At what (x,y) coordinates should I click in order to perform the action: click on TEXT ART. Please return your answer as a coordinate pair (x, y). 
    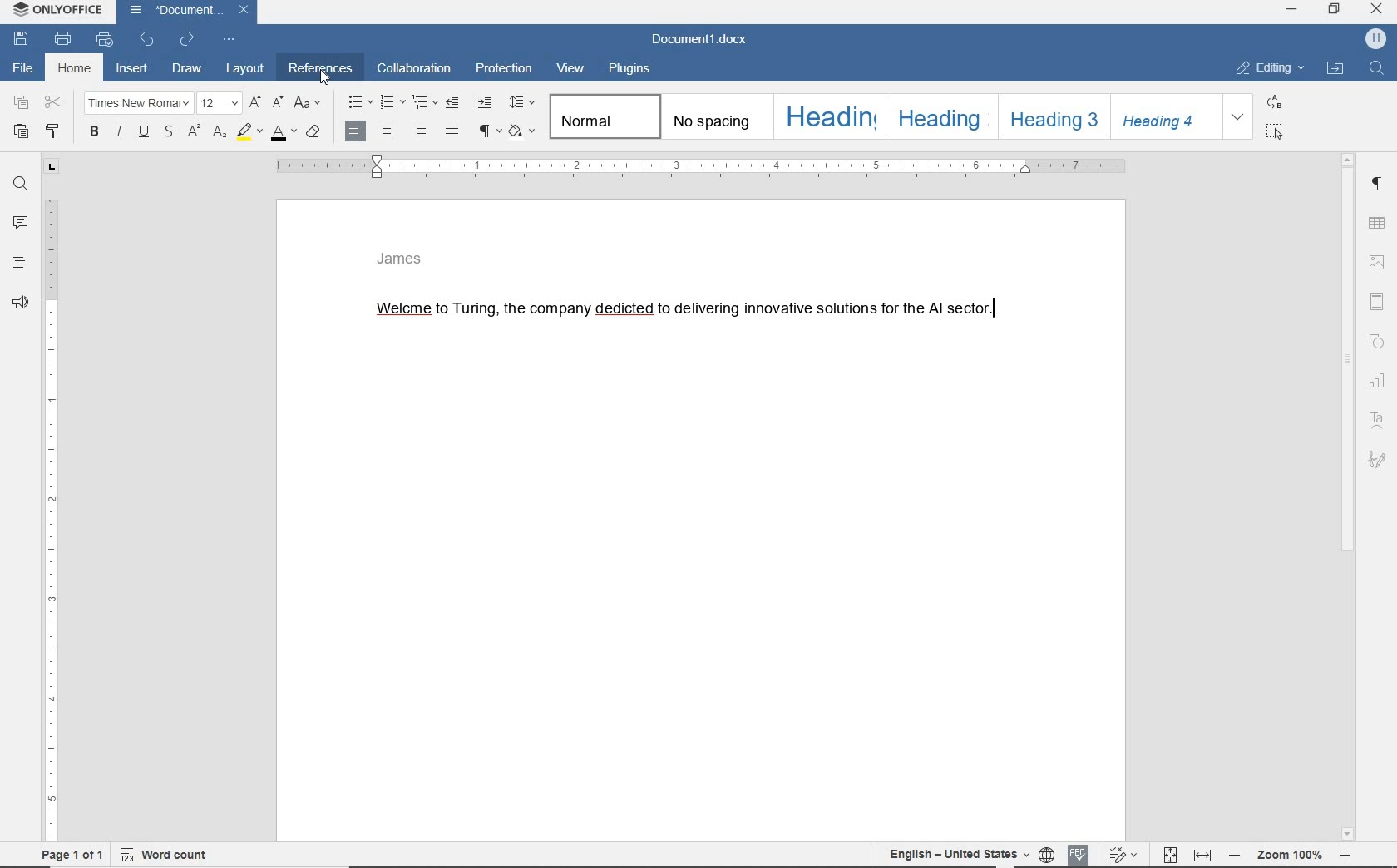
    Looking at the image, I should click on (1379, 421).